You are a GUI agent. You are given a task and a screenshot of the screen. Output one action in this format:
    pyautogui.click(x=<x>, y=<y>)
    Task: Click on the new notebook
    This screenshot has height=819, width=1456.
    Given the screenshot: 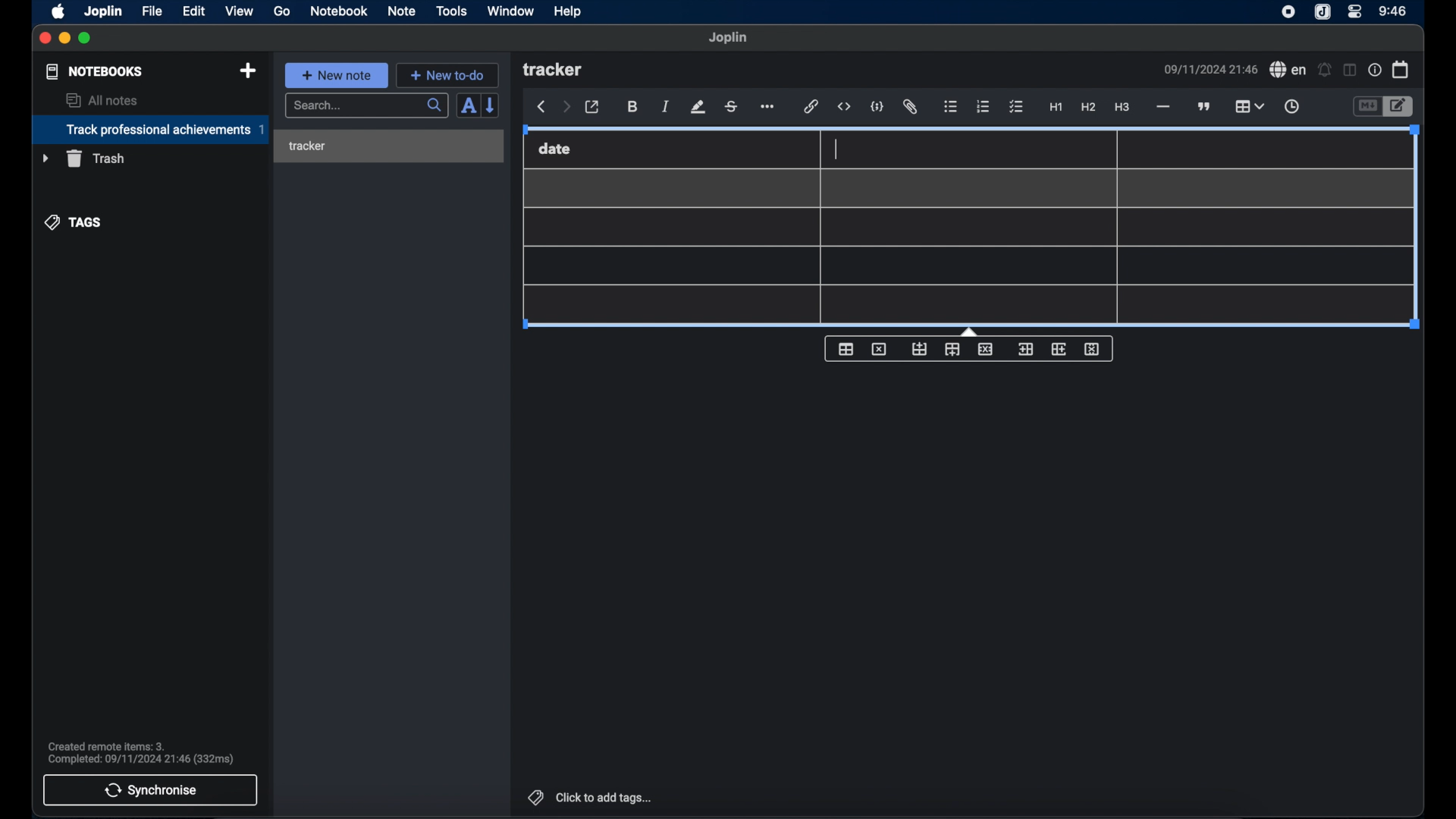 What is the action you would take?
    pyautogui.click(x=248, y=71)
    